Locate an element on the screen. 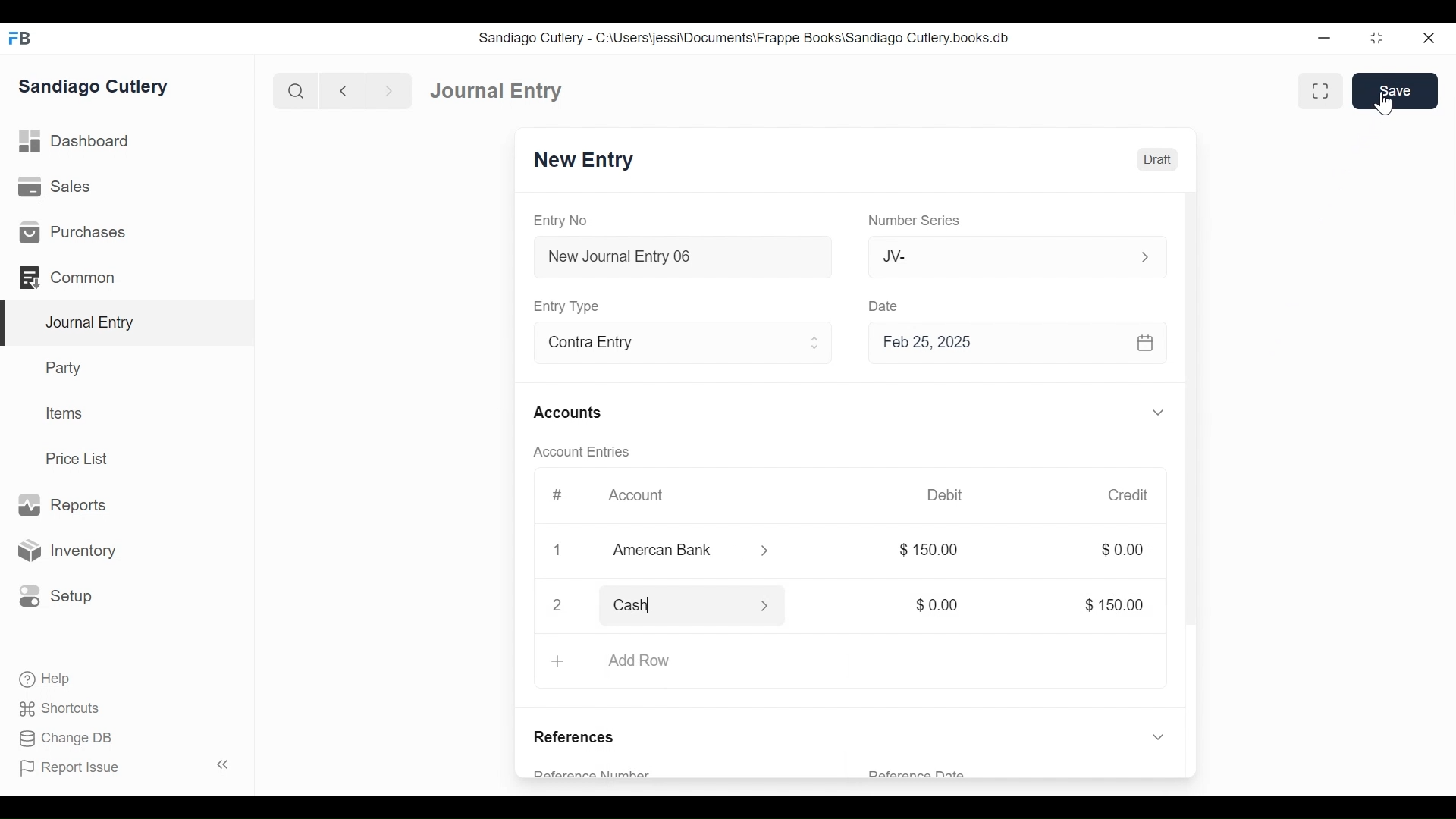 This screenshot has width=1456, height=819. Expand is located at coordinates (1161, 413).